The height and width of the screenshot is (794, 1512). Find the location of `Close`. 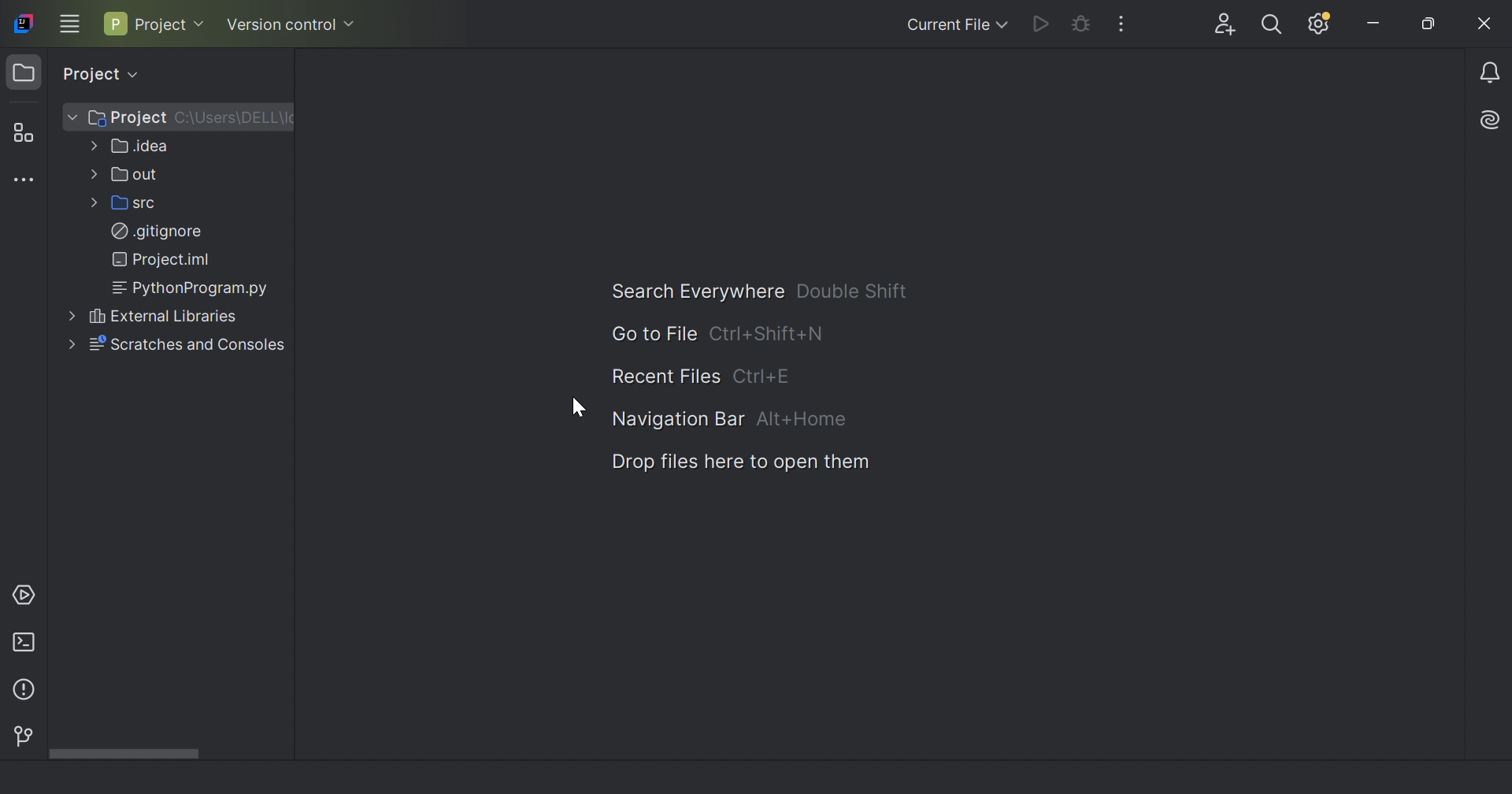

Close is located at coordinates (1488, 25).